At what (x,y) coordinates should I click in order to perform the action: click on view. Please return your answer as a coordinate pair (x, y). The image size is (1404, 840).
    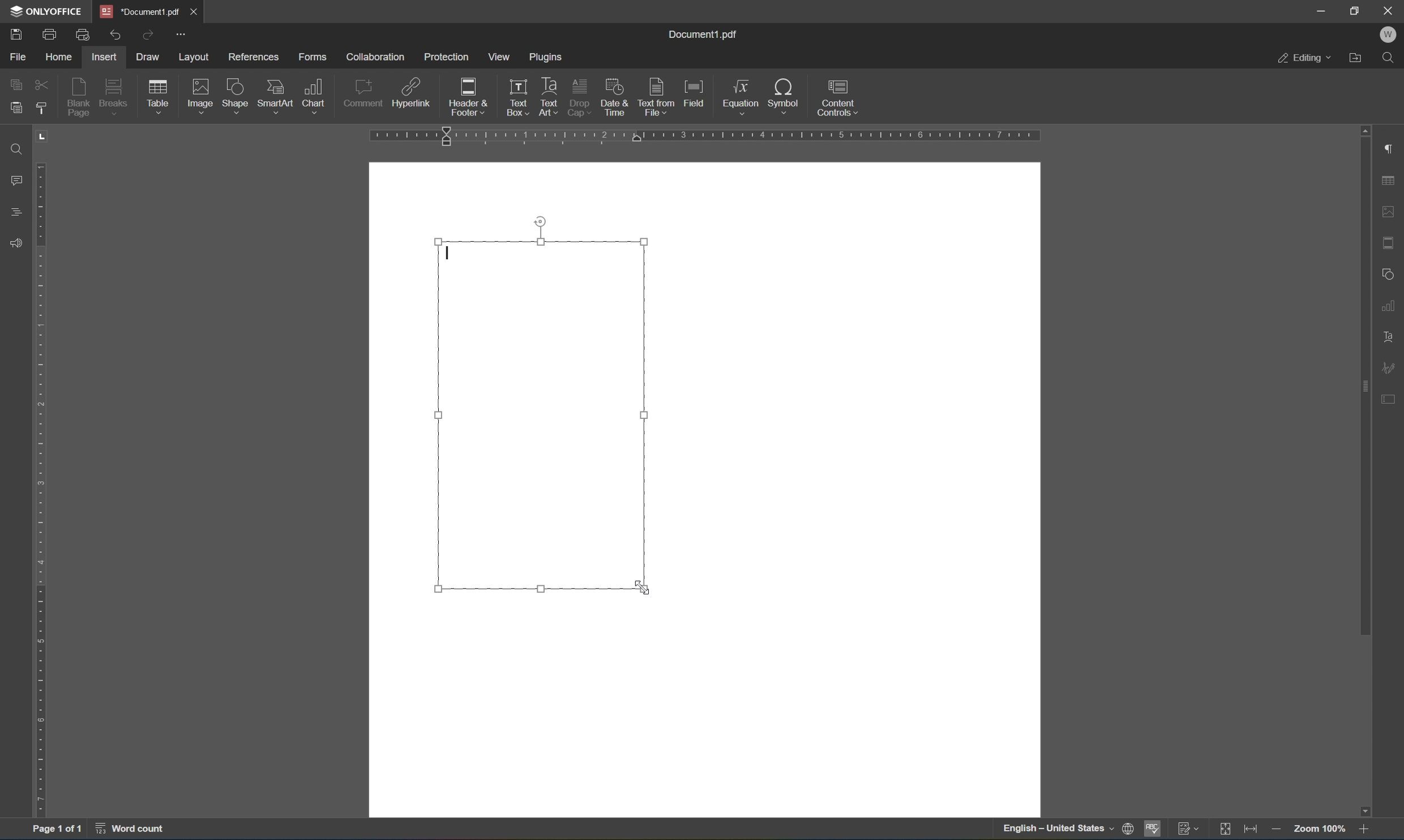
    Looking at the image, I should click on (498, 56).